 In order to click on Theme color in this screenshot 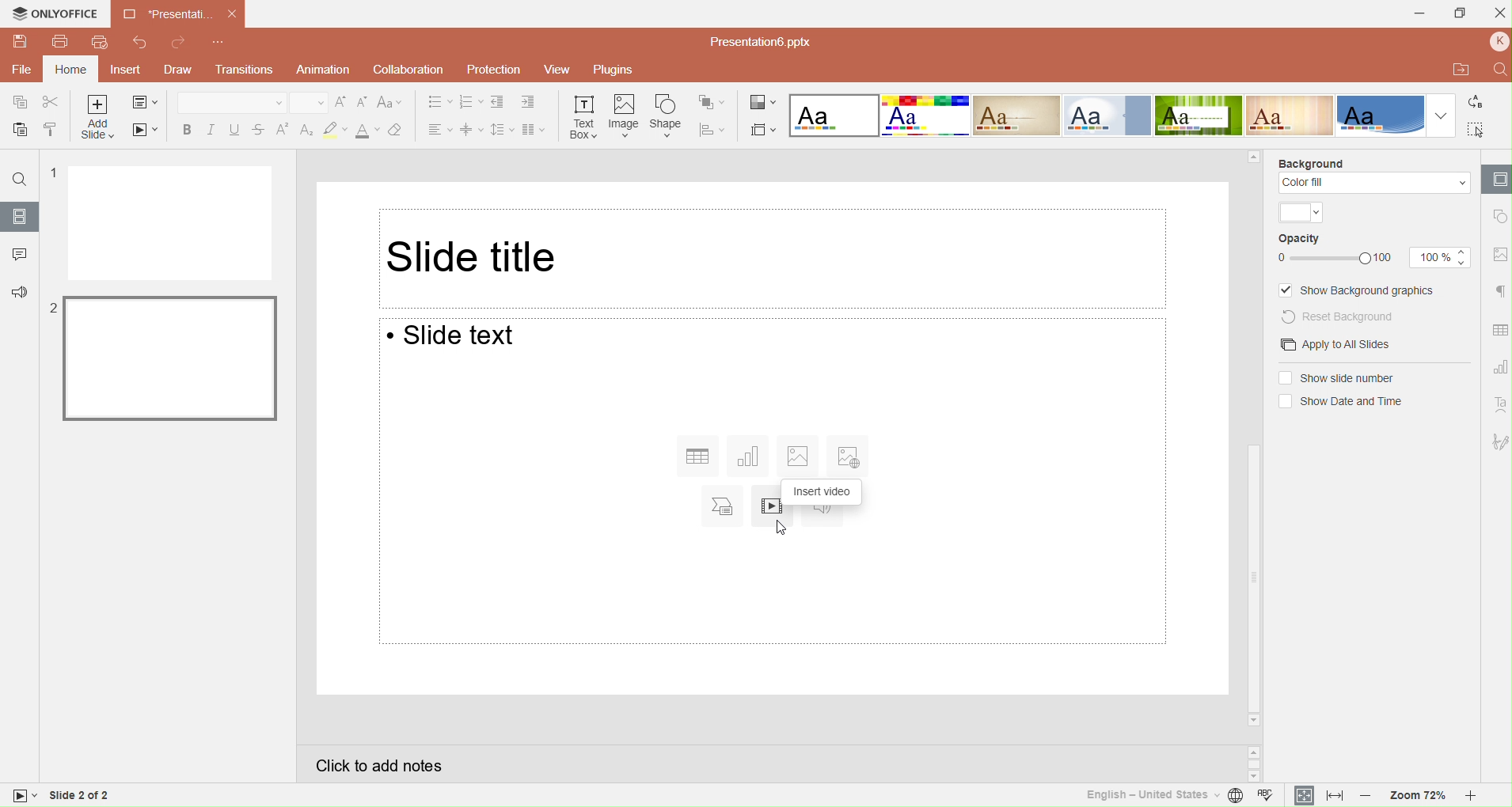, I will do `click(1298, 212)`.